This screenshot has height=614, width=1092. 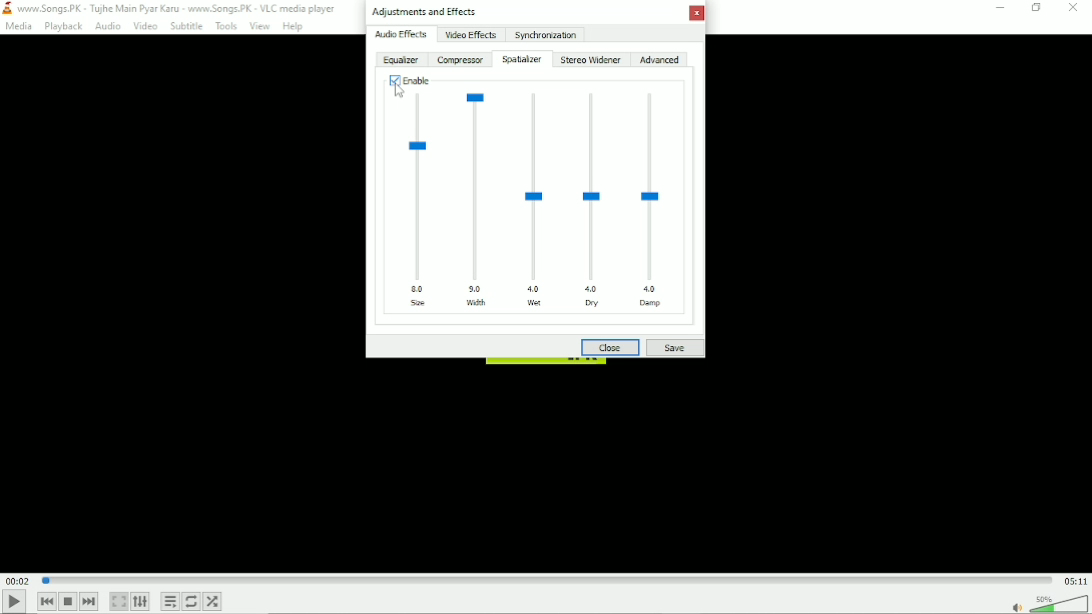 I want to click on Tools, so click(x=226, y=26).